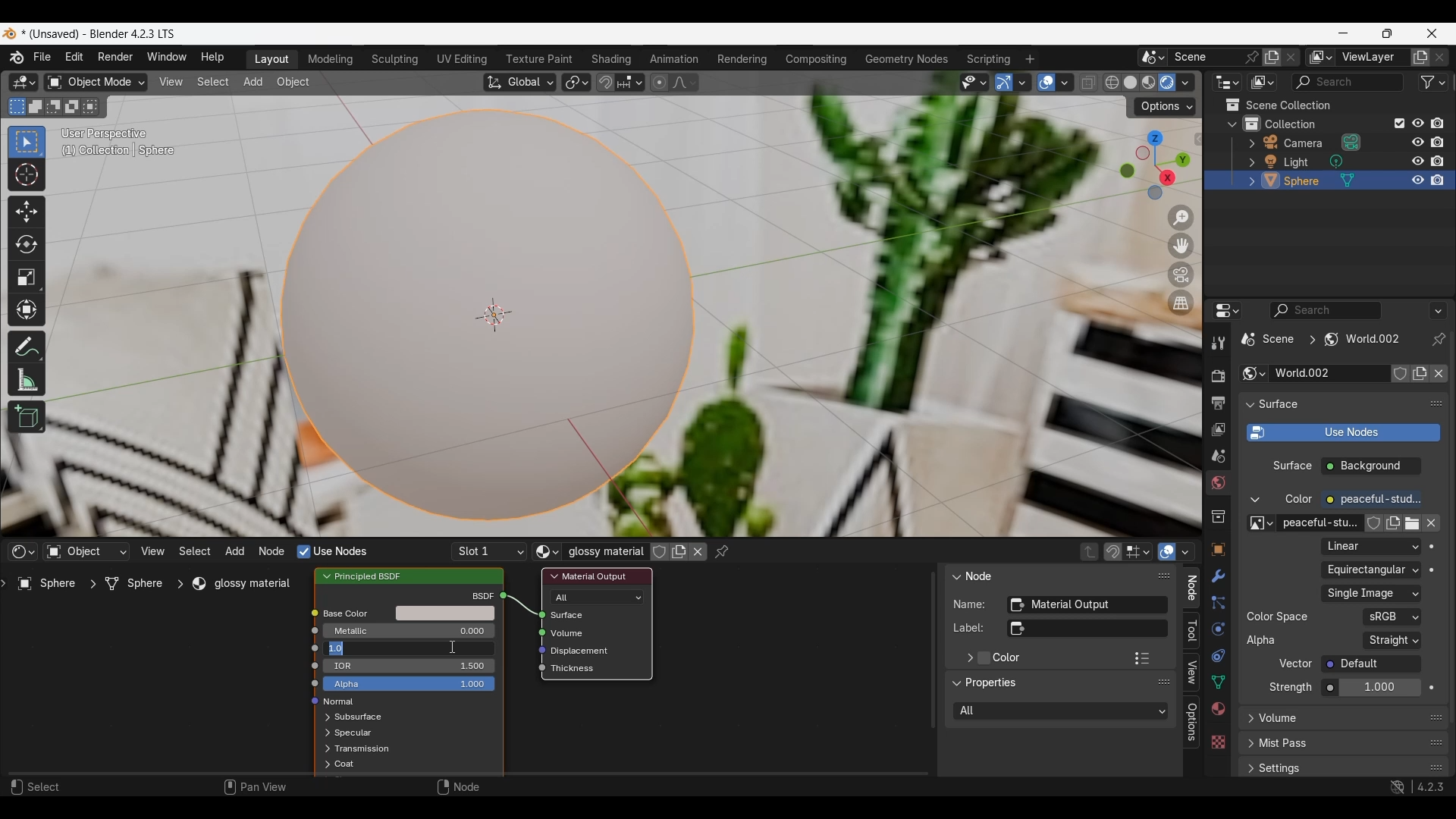  I want to click on Cursor, so click(27, 175).